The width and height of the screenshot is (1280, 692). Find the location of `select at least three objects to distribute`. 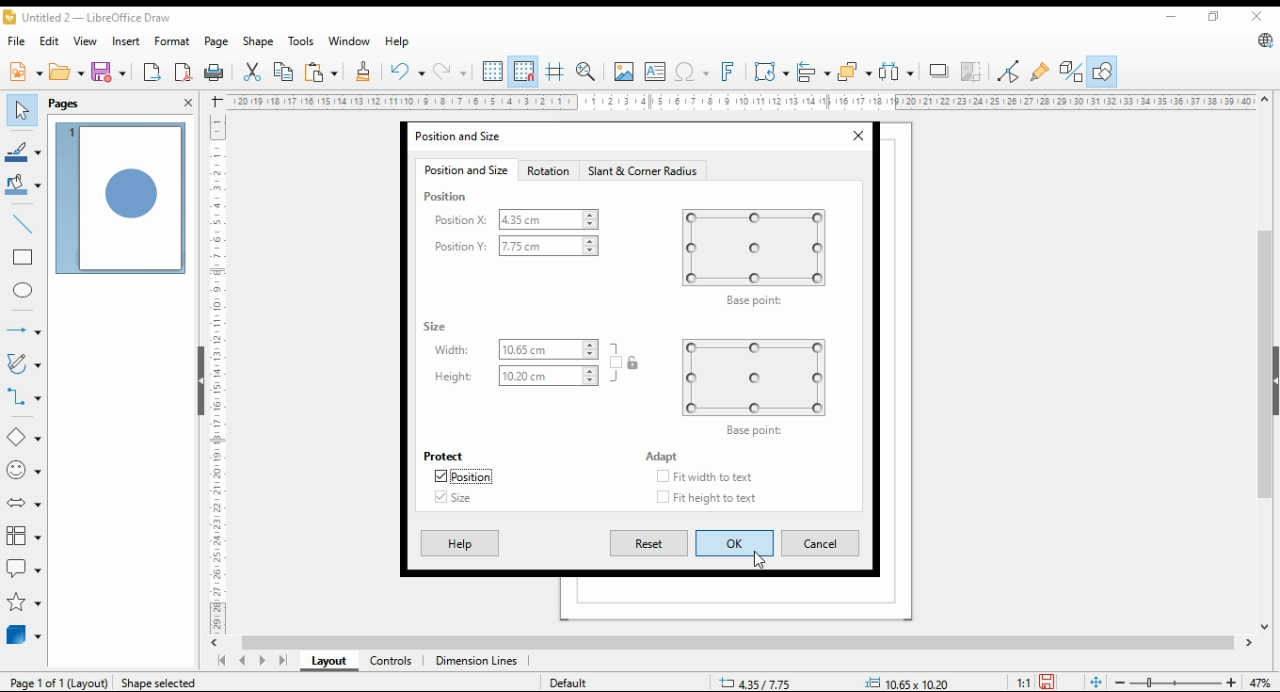

select at least three objects to distribute is located at coordinates (895, 72).